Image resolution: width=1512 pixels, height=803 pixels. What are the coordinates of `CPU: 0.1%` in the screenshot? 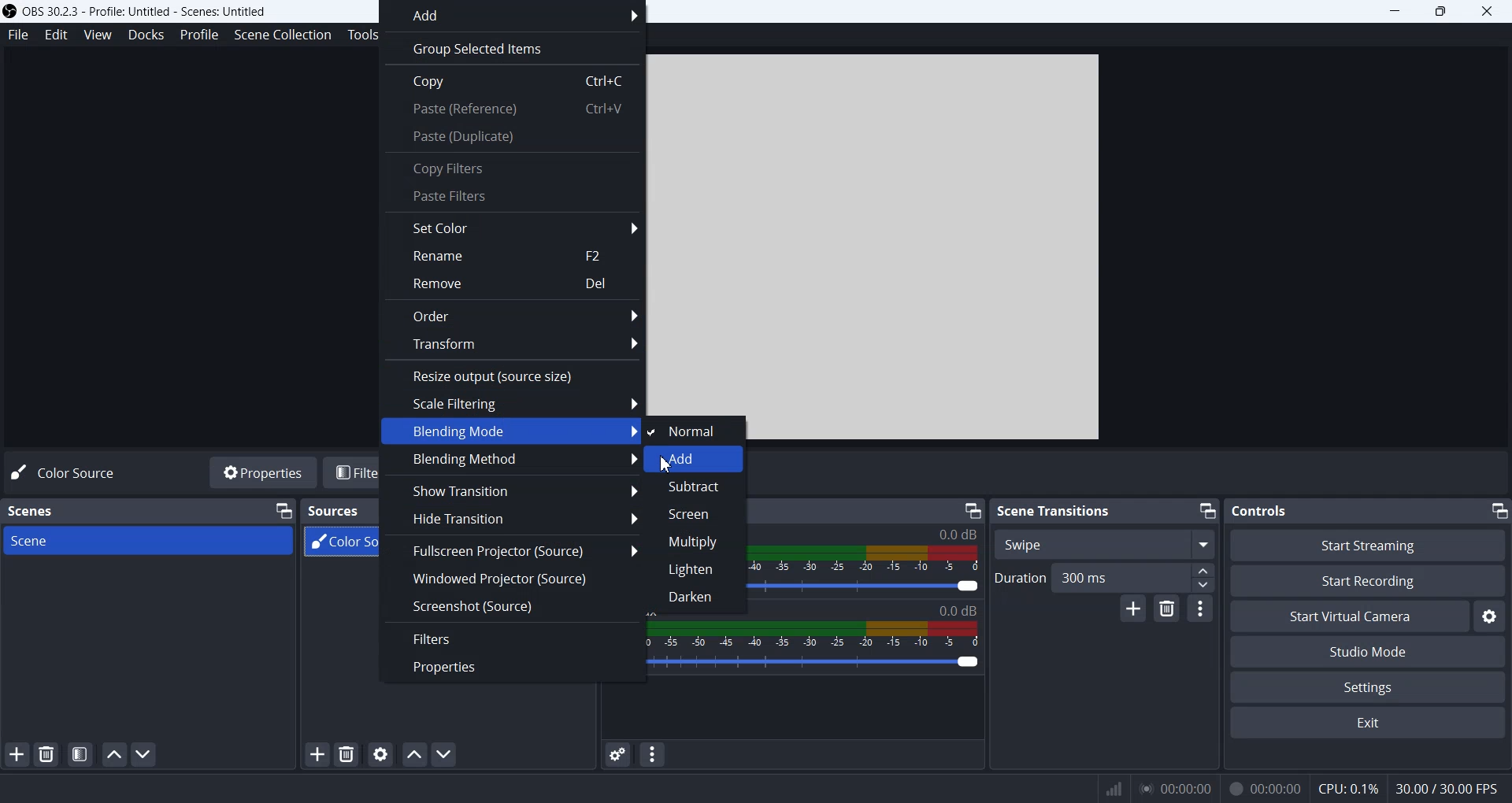 It's located at (1343, 786).